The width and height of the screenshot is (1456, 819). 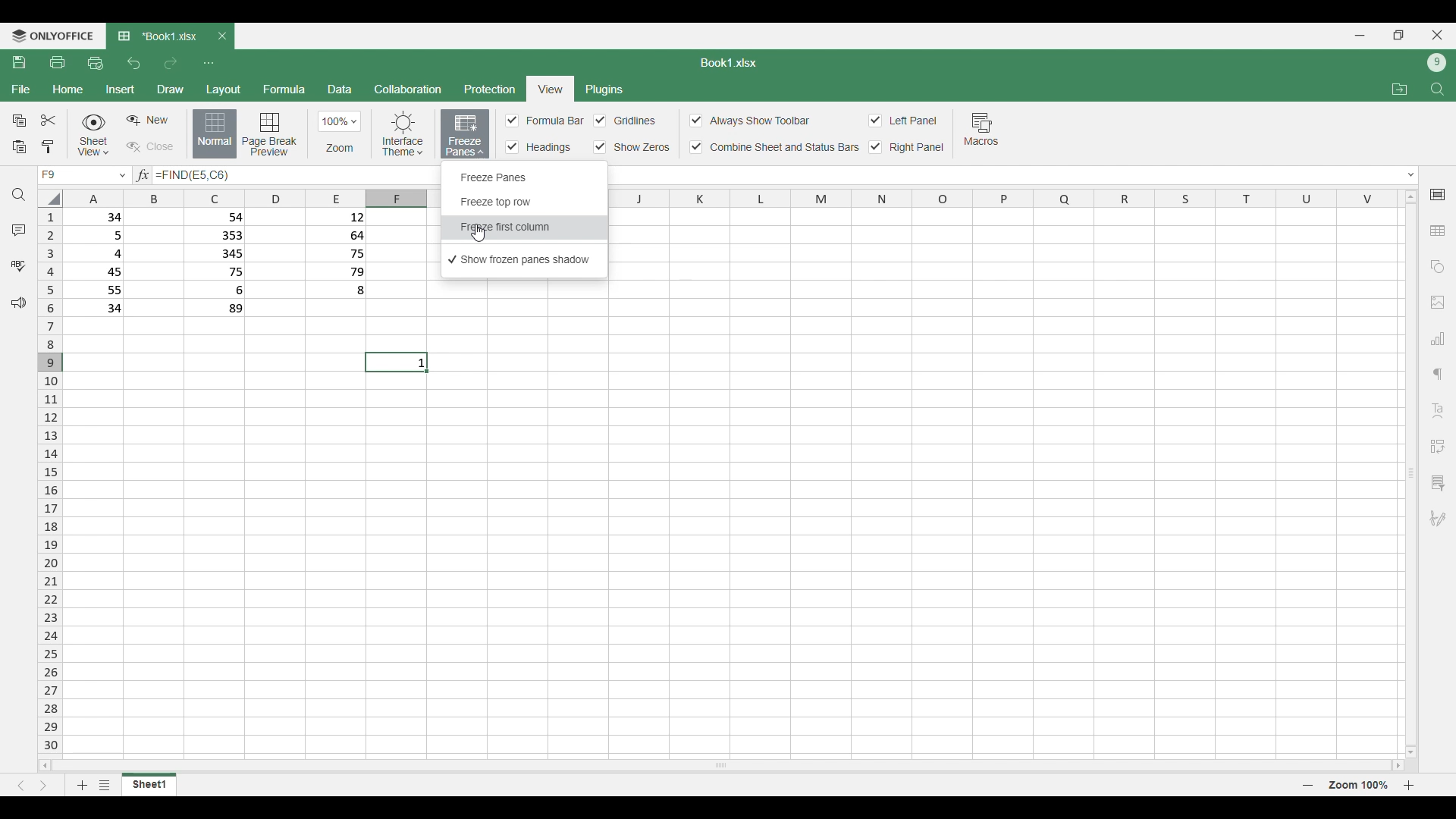 What do you see at coordinates (17, 194) in the screenshot?
I see `Find` at bounding box center [17, 194].